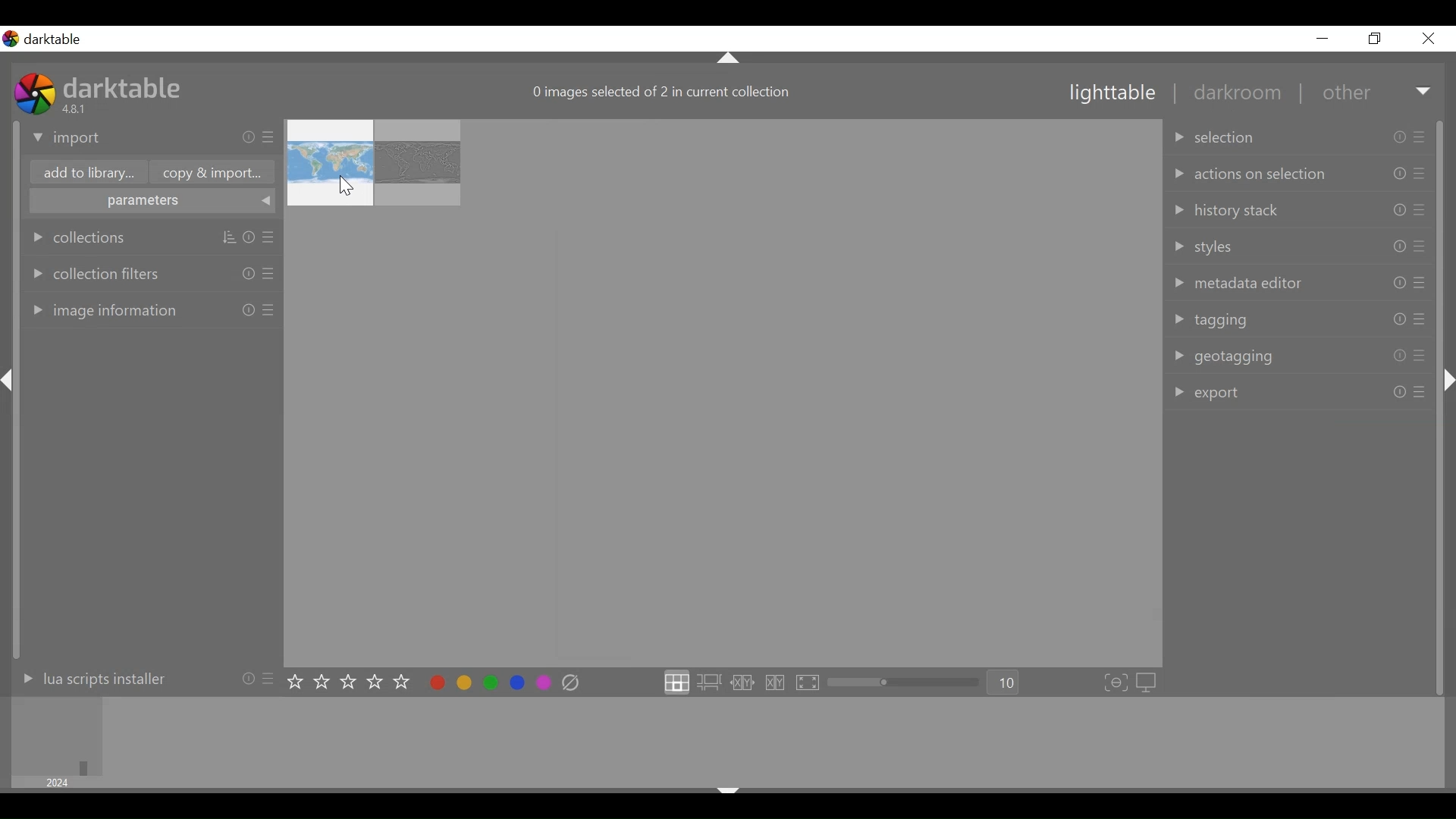  Describe the element at coordinates (1147, 684) in the screenshot. I see `Set display profile` at that location.